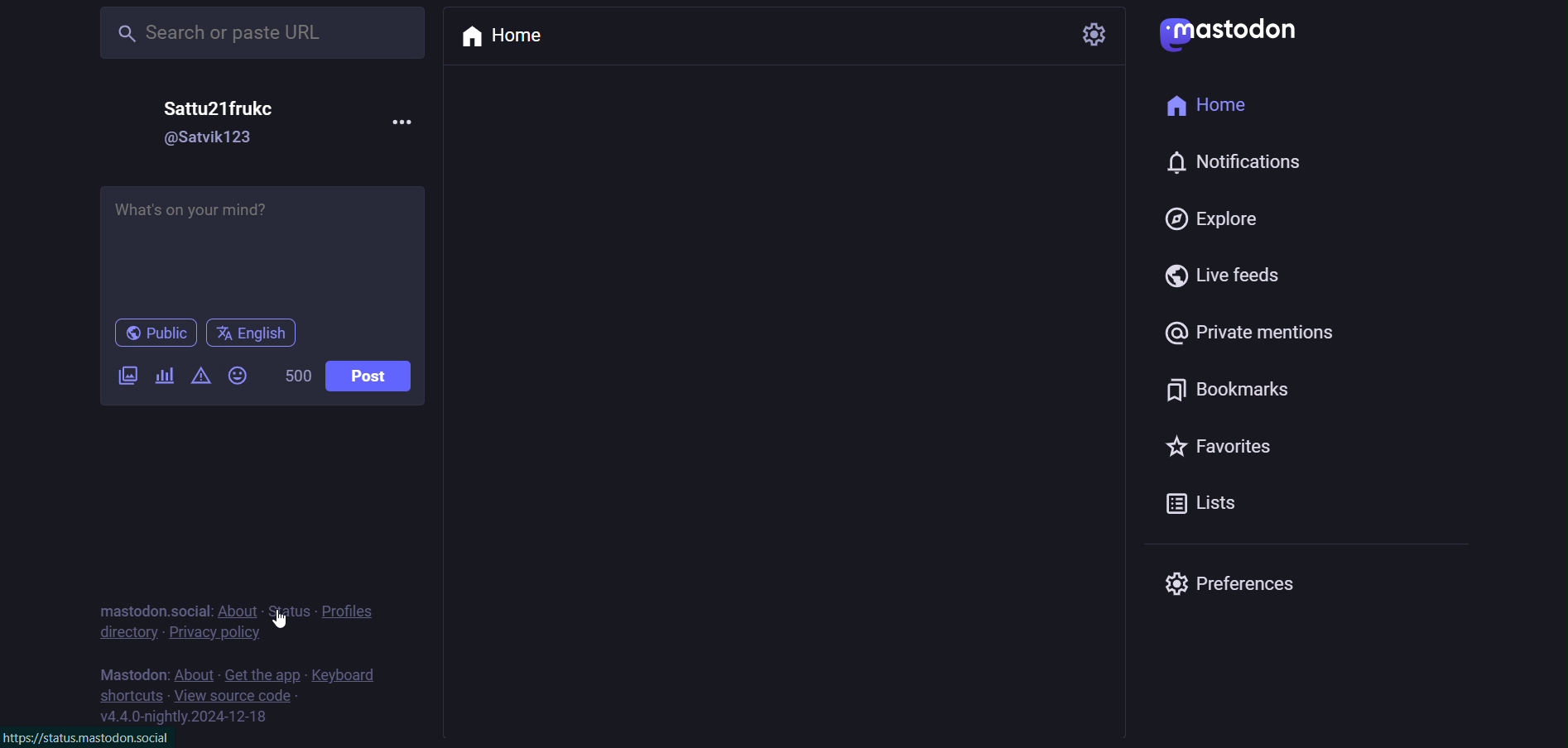 The image size is (1568, 748). Describe the element at coordinates (1094, 35) in the screenshot. I see `setting` at that location.